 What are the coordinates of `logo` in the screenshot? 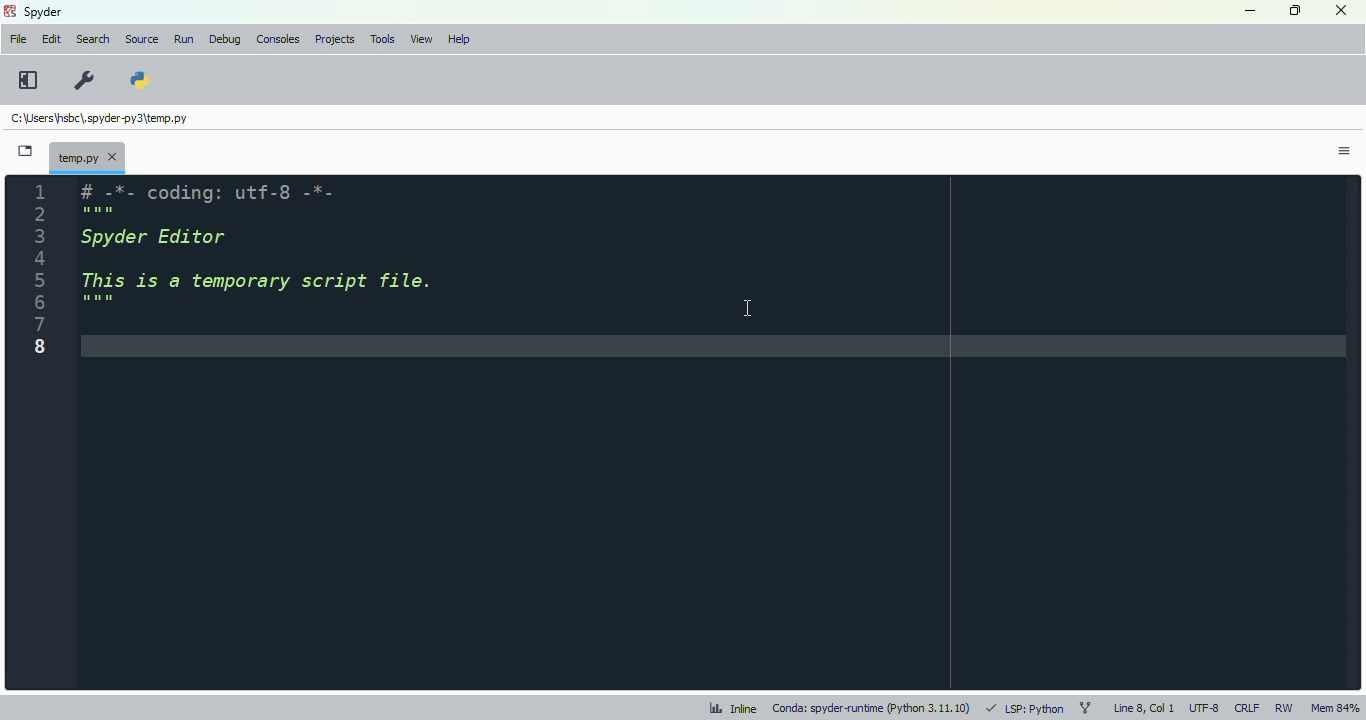 It's located at (10, 11).